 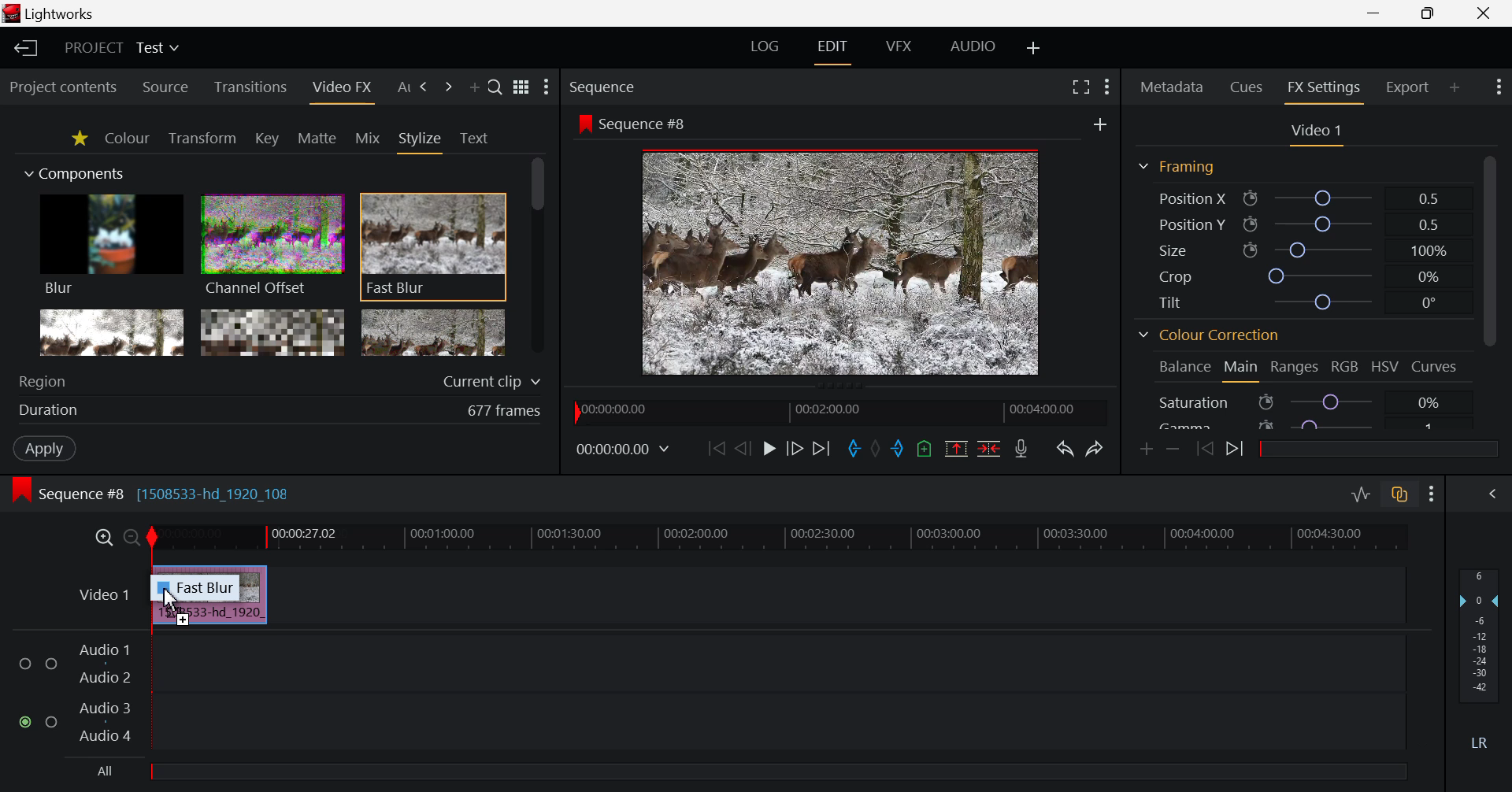 I want to click on Cursor, so click(x=176, y=598).